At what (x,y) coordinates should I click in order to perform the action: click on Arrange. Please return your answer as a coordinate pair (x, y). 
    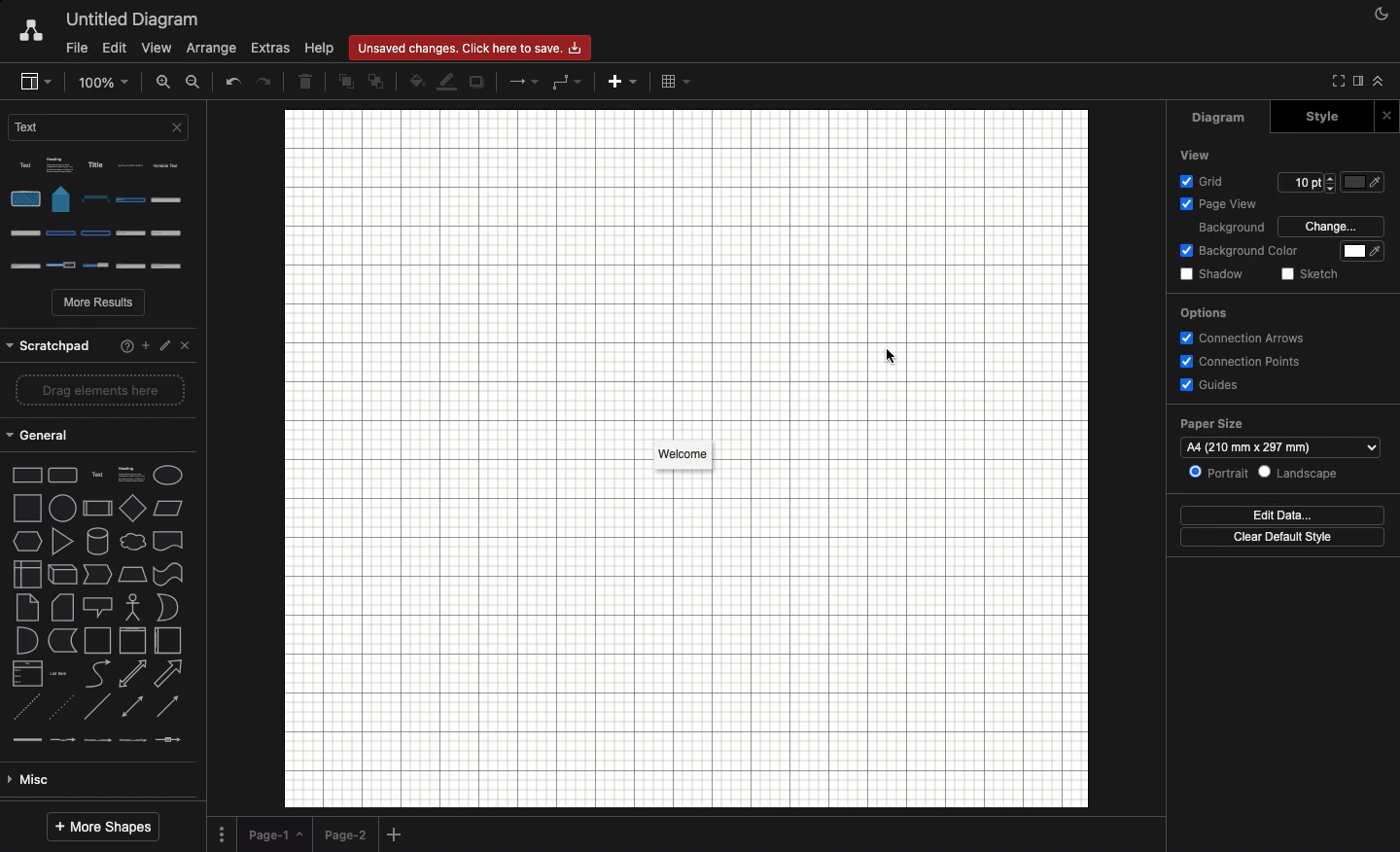
    Looking at the image, I should click on (214, 47).